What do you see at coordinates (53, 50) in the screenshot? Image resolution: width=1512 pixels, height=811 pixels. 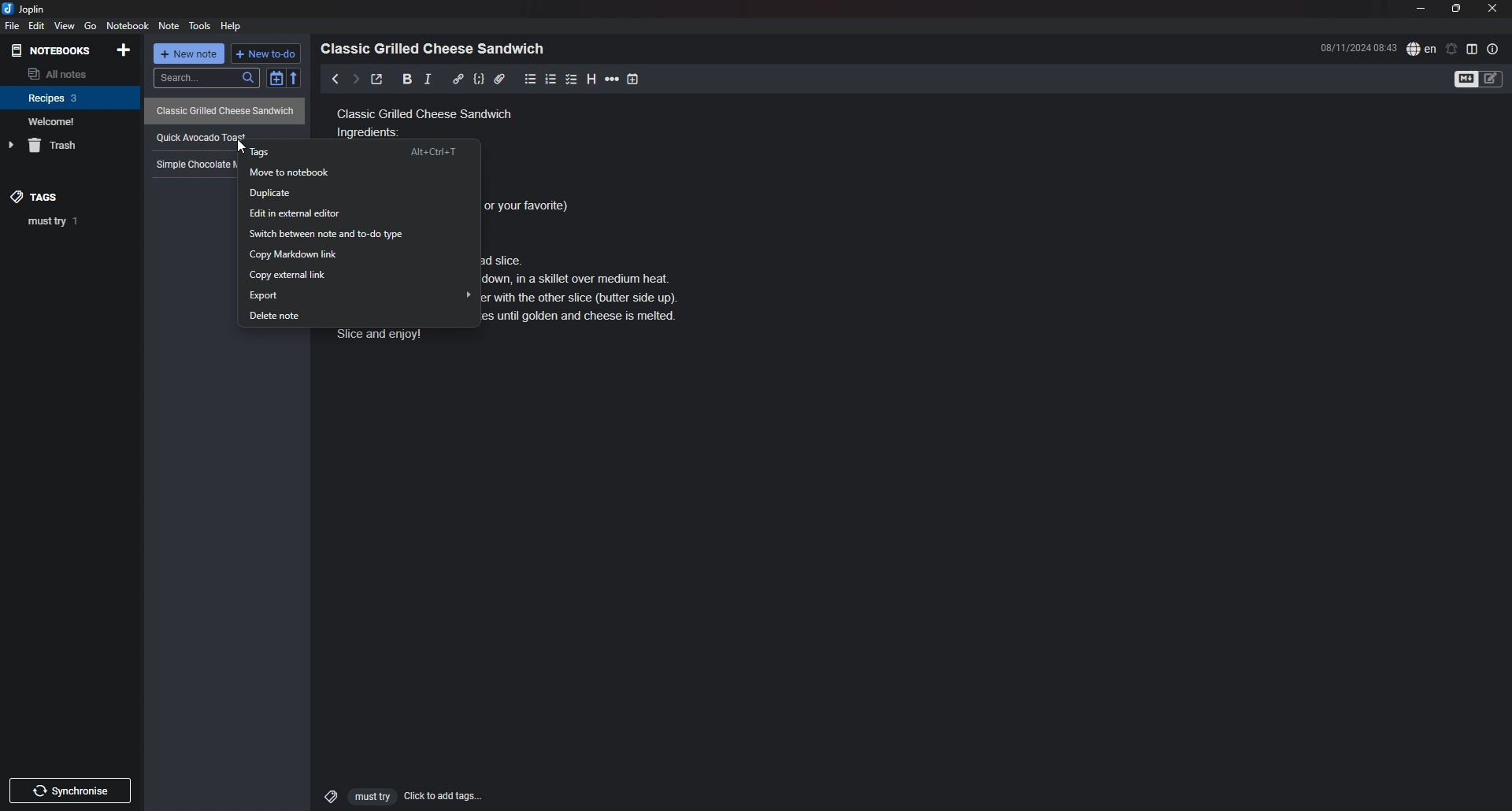 I see `notebooks` at bounding box center [53, 50].